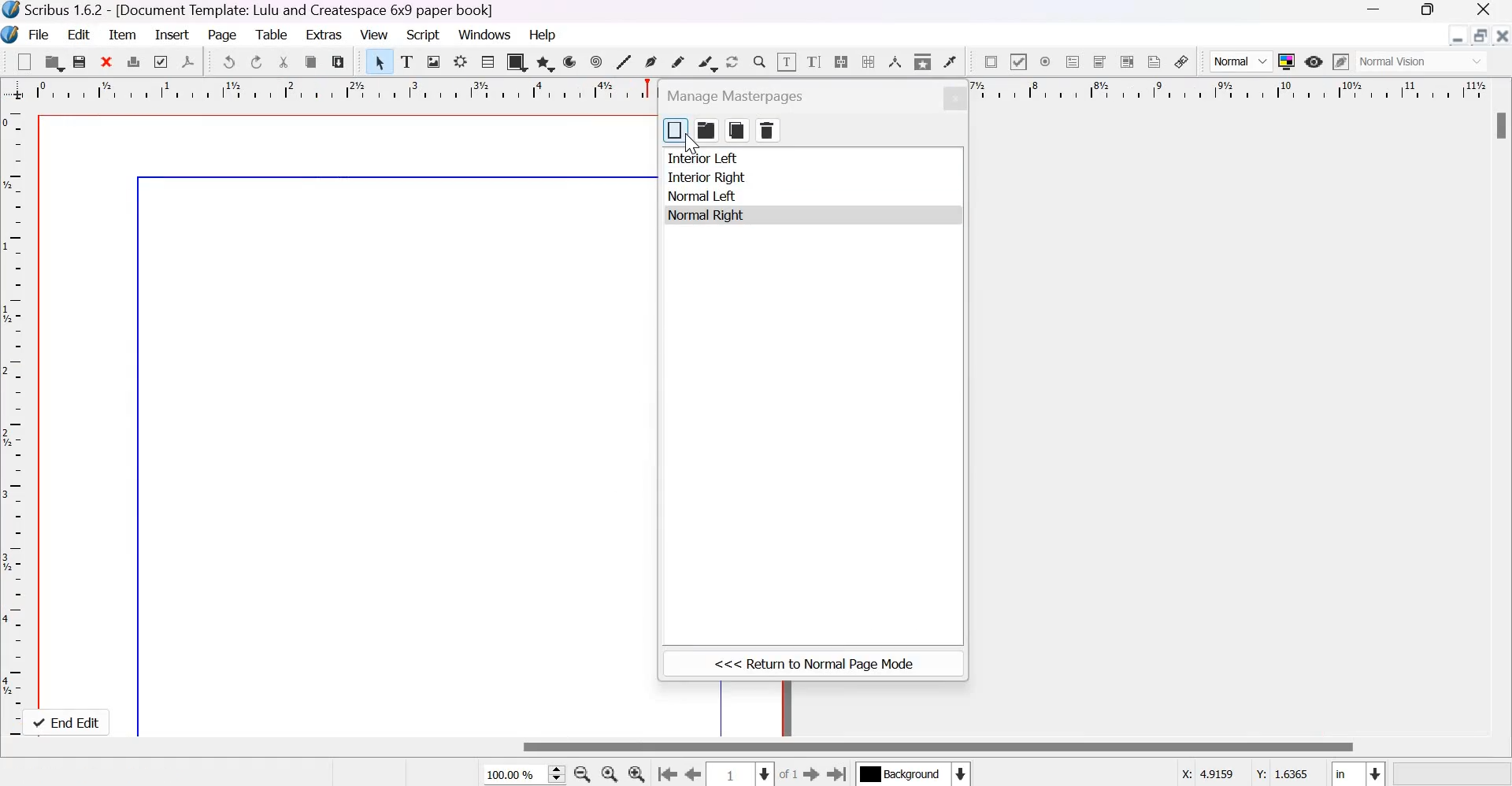  Describe the element at coordinates (38, 34) in the screenshot. I see `File` at that location.